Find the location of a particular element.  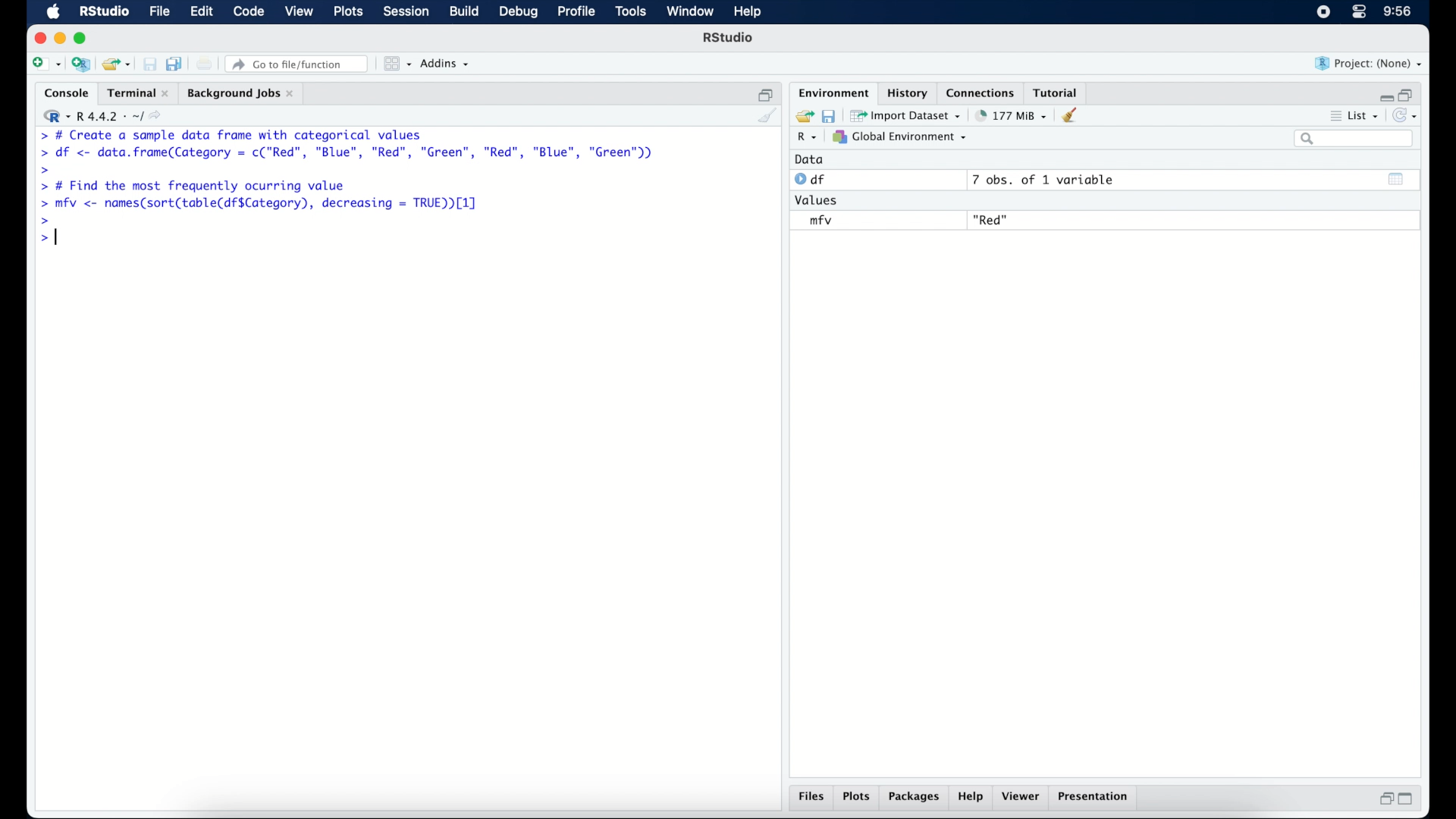

7 obs, of 1 variable is located at coordinates (1043, 180).